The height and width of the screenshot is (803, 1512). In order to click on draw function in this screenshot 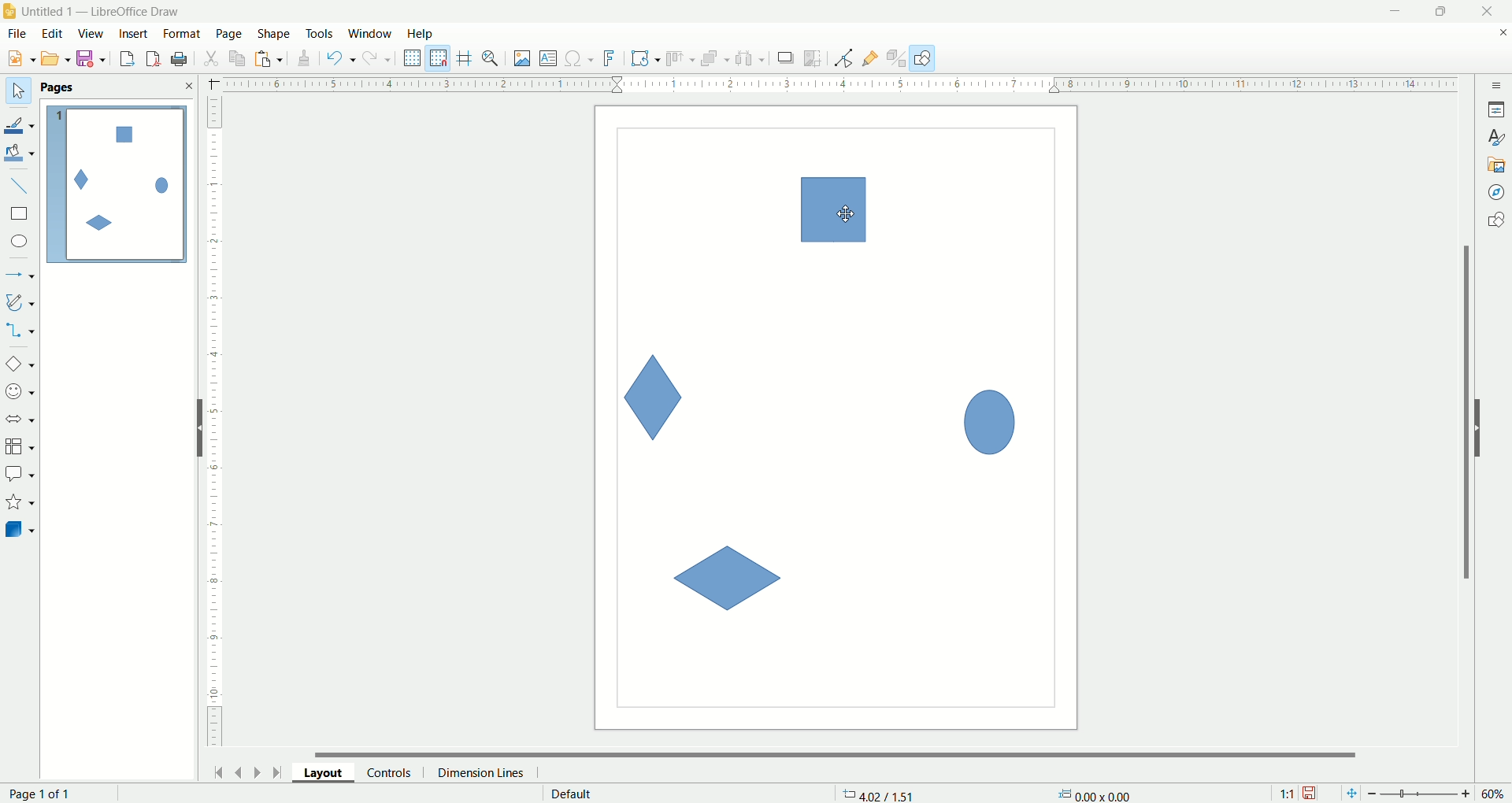, I will do `click(923, 57)`.